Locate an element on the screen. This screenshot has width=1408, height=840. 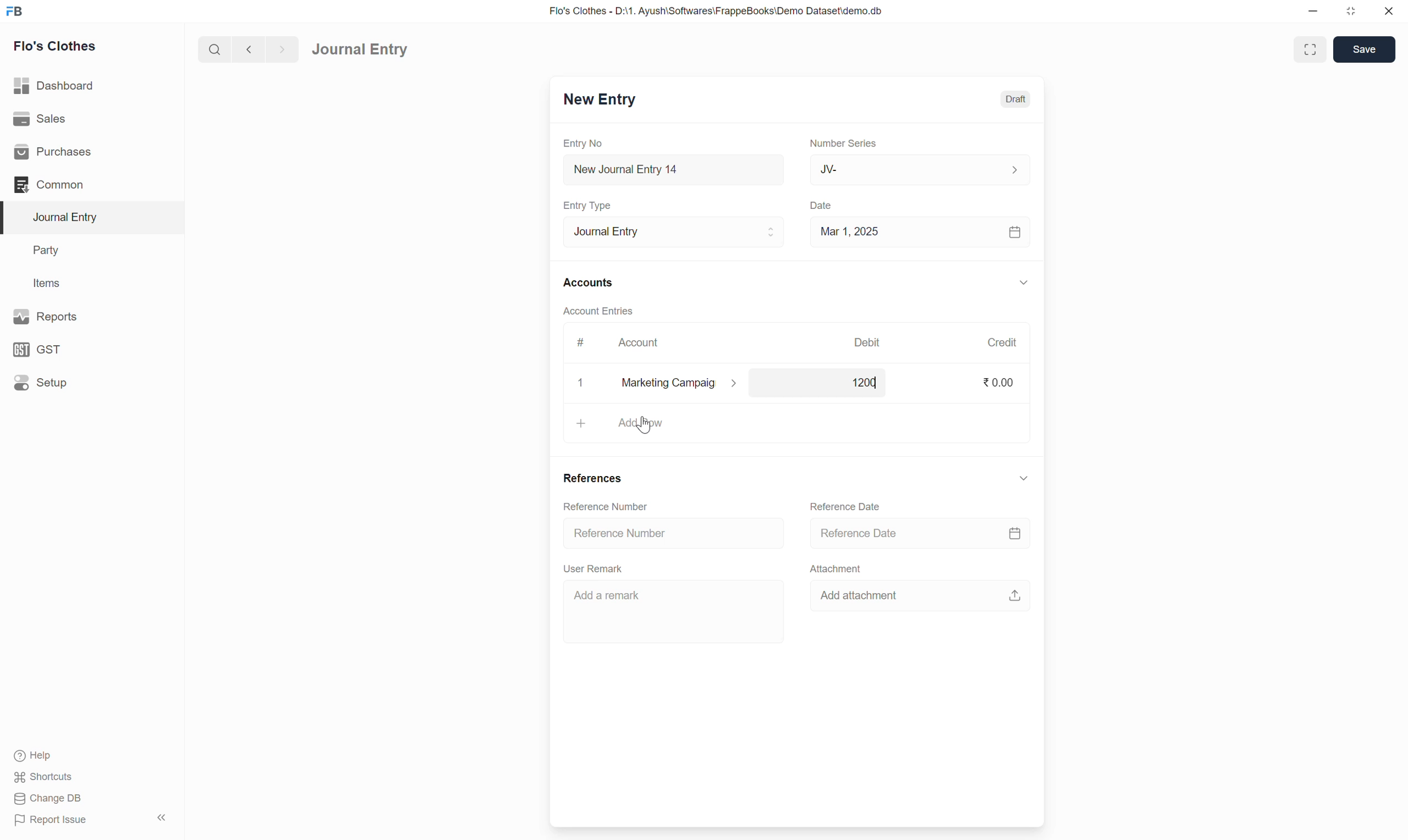
Entry Type is located at coordinates (591, 205).